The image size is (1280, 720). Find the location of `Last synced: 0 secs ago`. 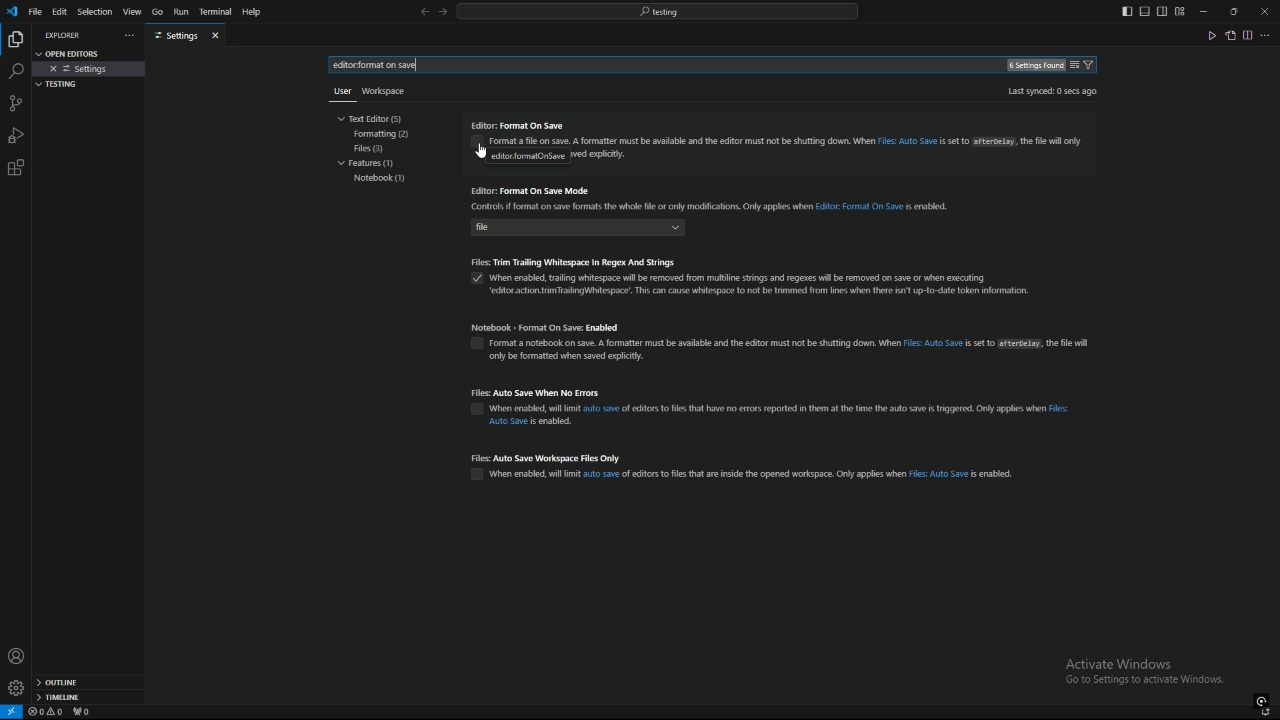

Last synced: 0 secs ago is located at coordinates (1051, 91).